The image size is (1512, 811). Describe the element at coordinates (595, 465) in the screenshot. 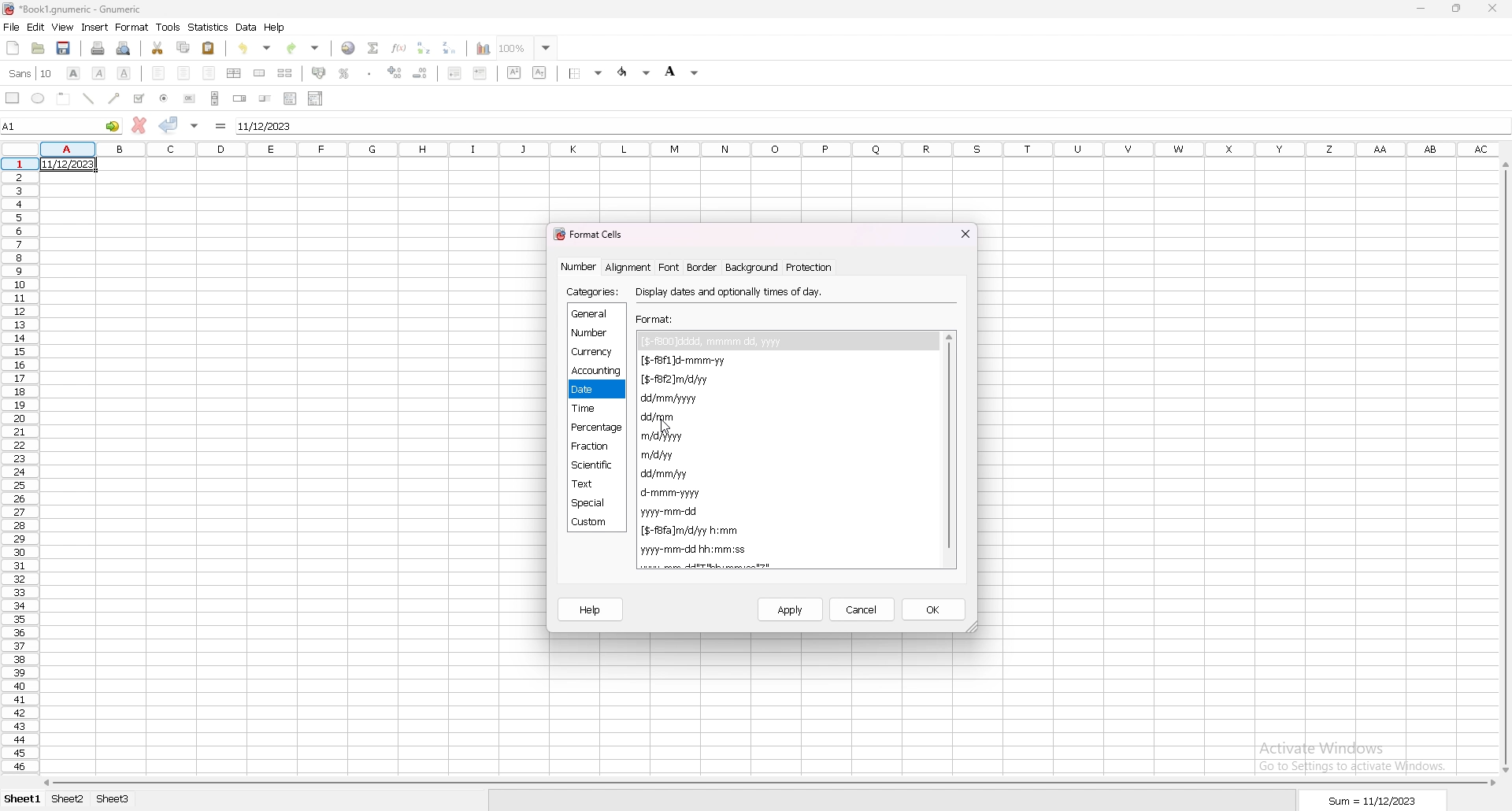

I see `scientific` at that location.